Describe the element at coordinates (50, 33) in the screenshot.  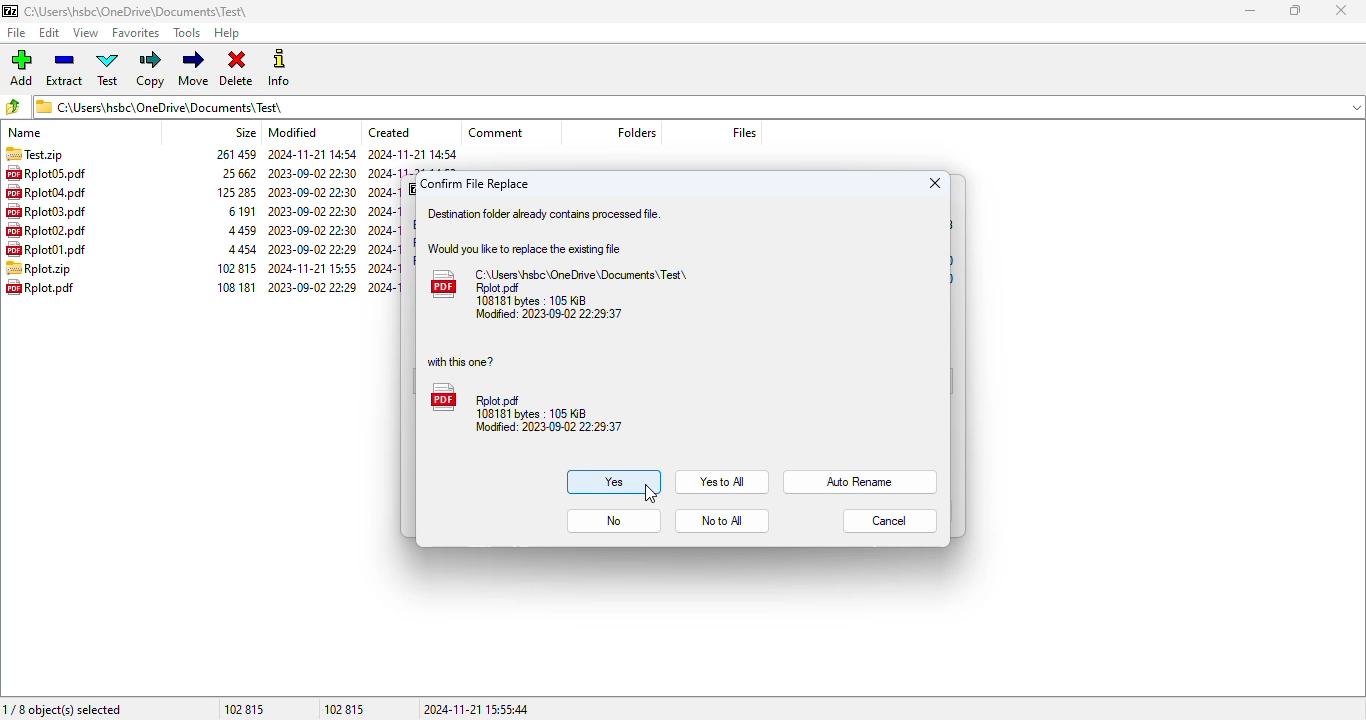
I see `edit` at that location.